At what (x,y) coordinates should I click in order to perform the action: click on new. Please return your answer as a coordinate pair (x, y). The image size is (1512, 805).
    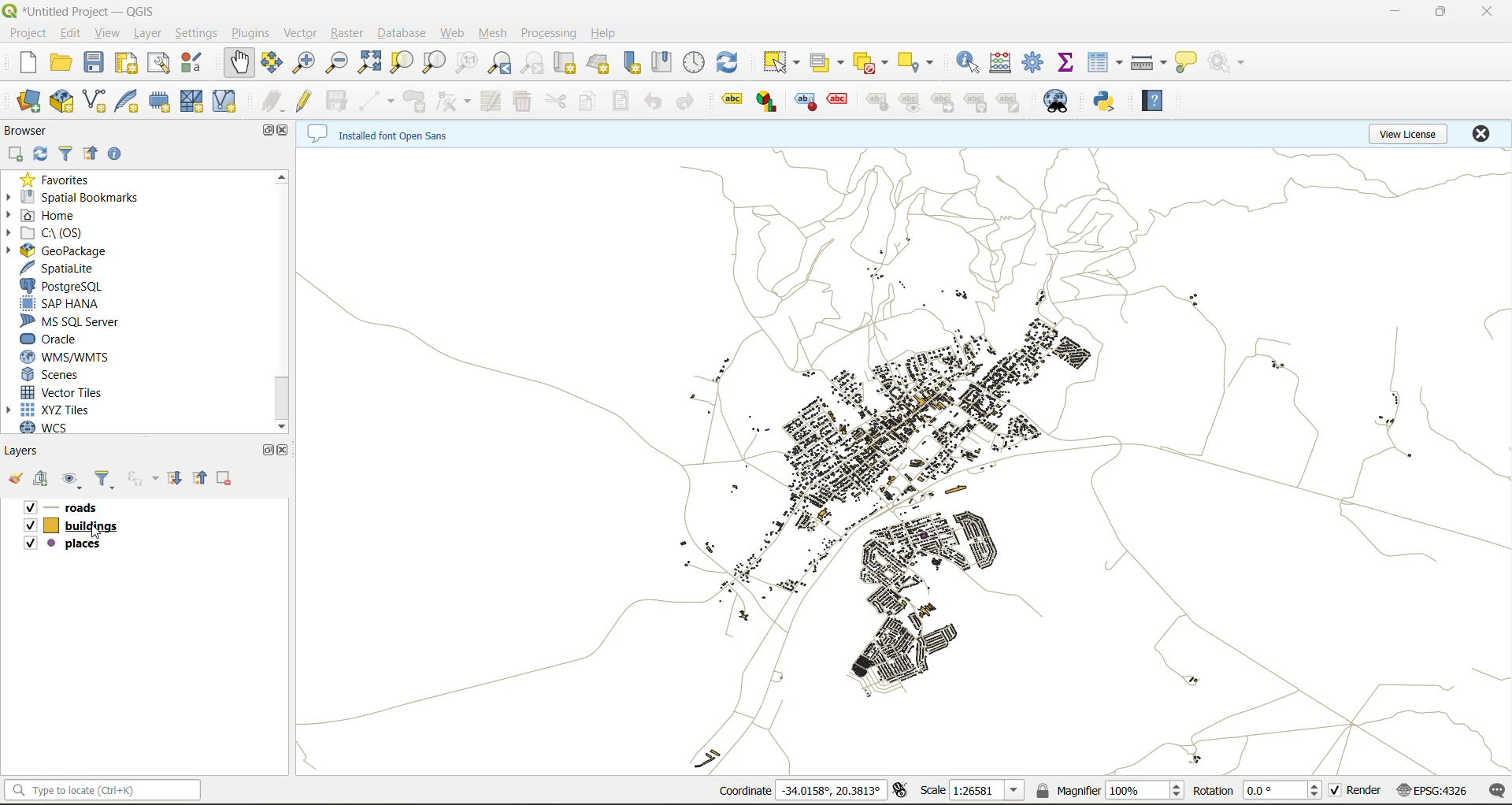
    Looking at the image, I should click on (29, 61).